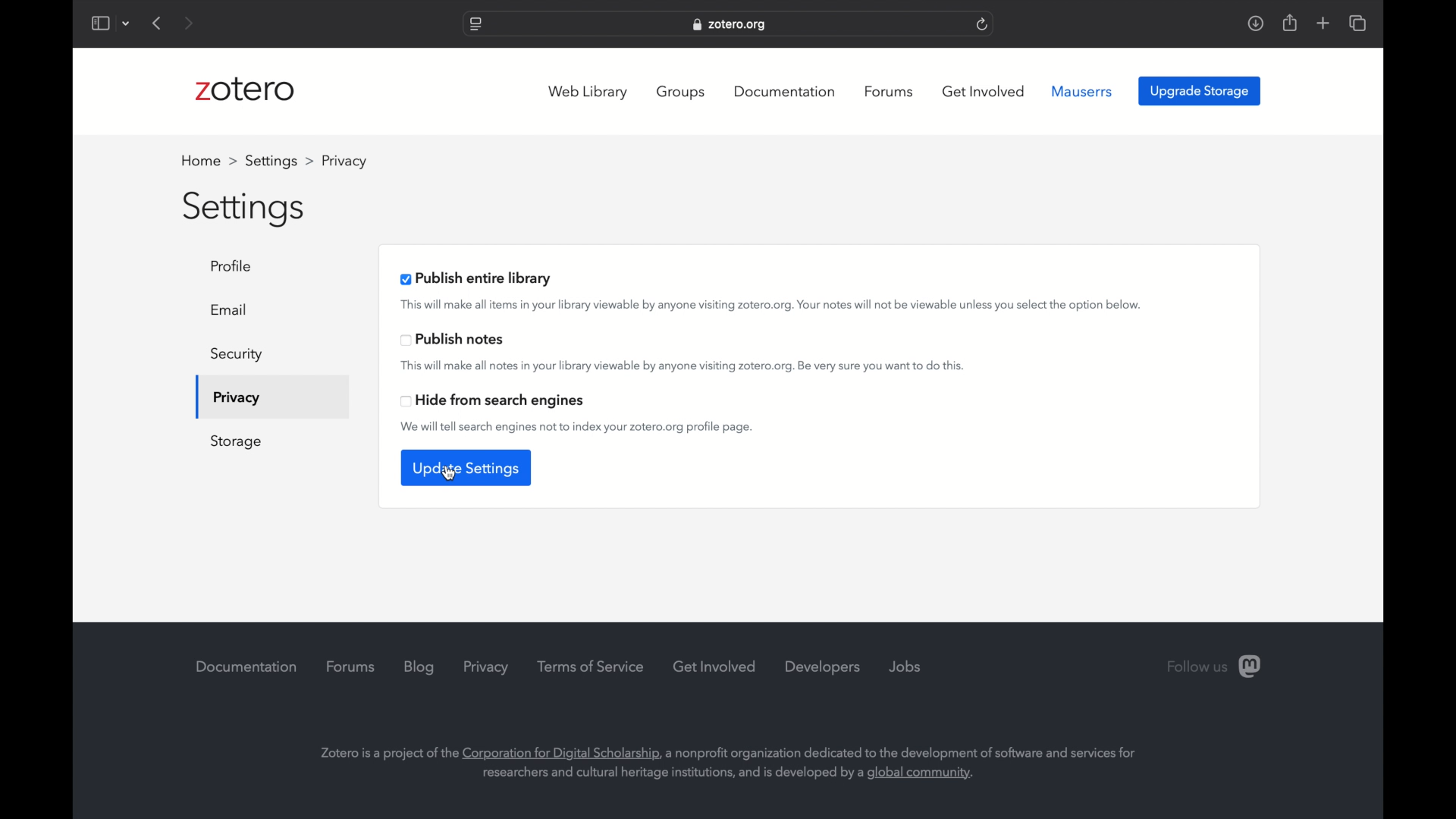 This screenshot has width=1456, height=819. I want to click on privacy, so click(235, 400).